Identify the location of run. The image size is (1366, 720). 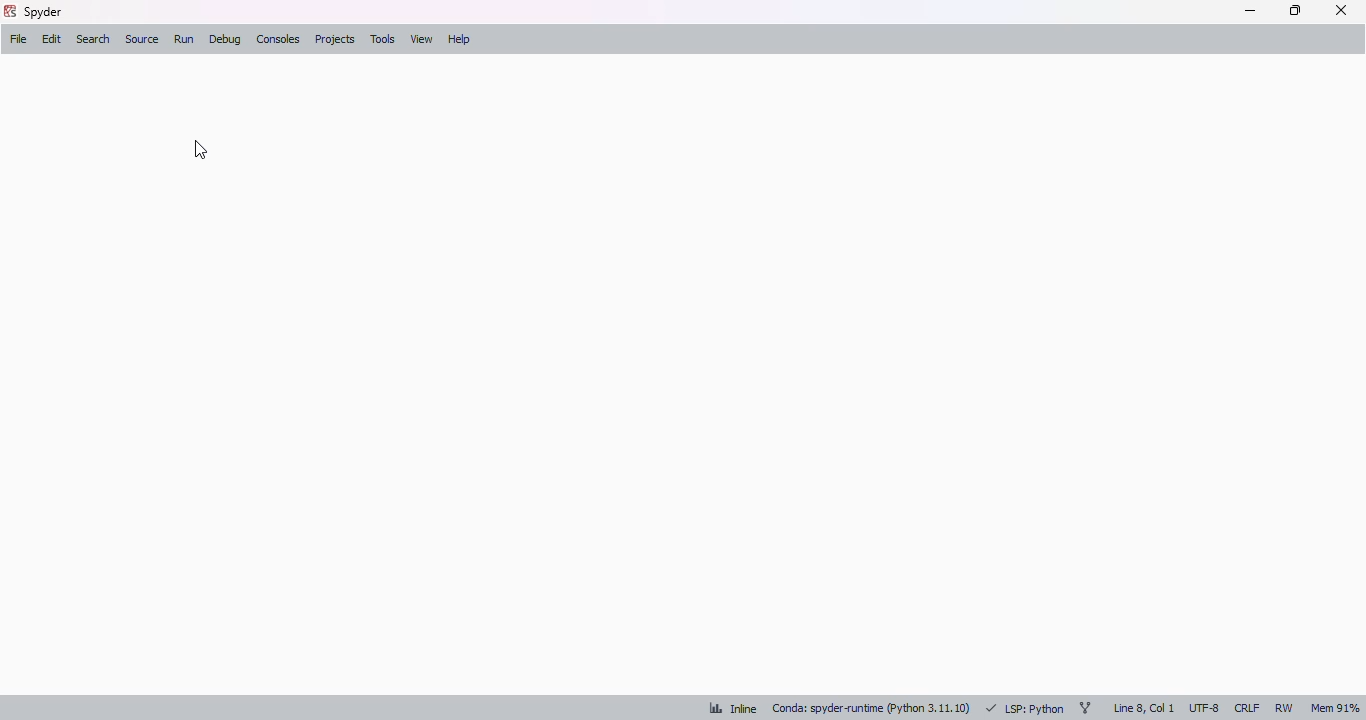
(185, 39).